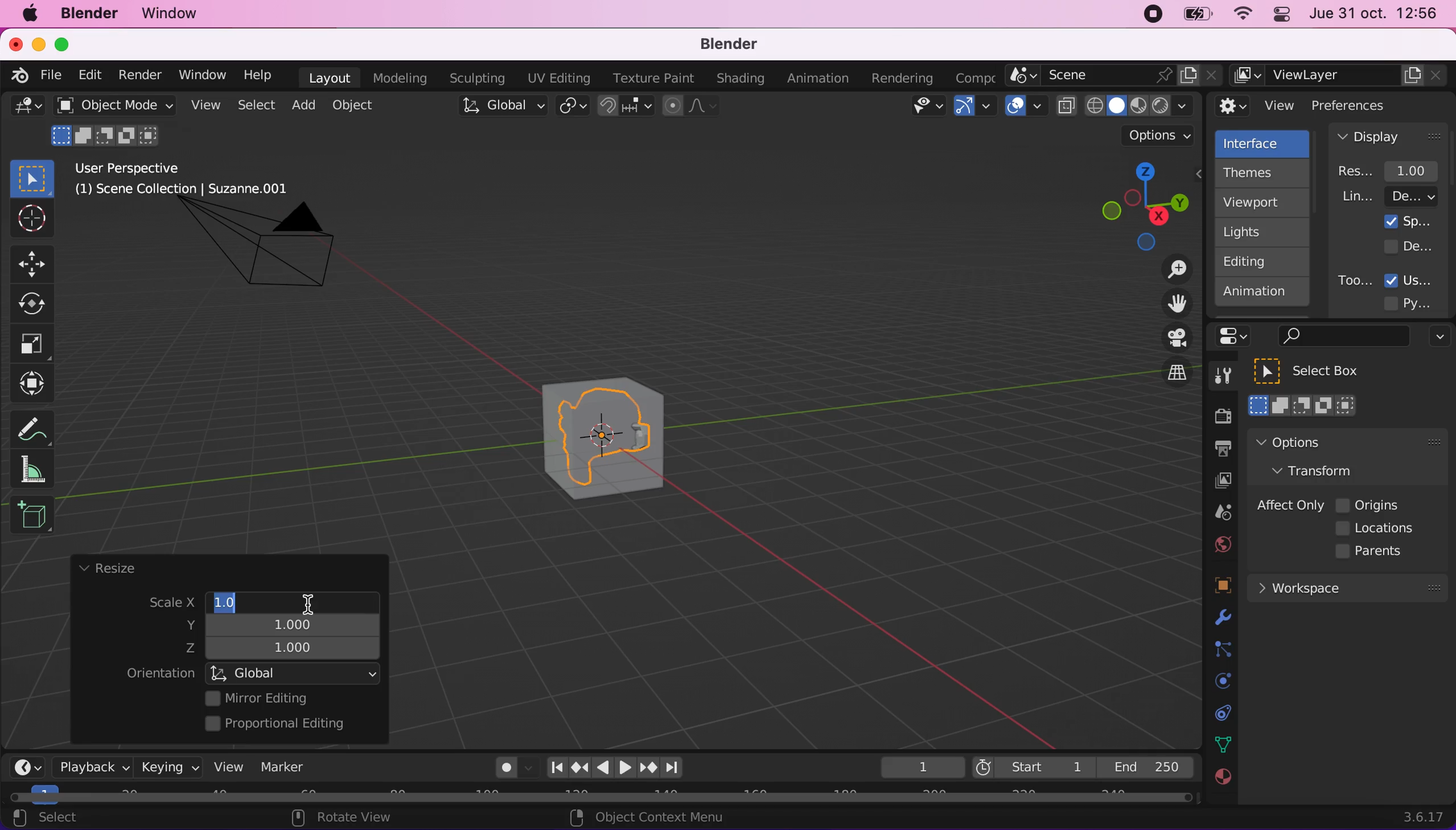  Describe the element at coordinates (1032, 767) in the screenshot. I see `start 1` at that location.